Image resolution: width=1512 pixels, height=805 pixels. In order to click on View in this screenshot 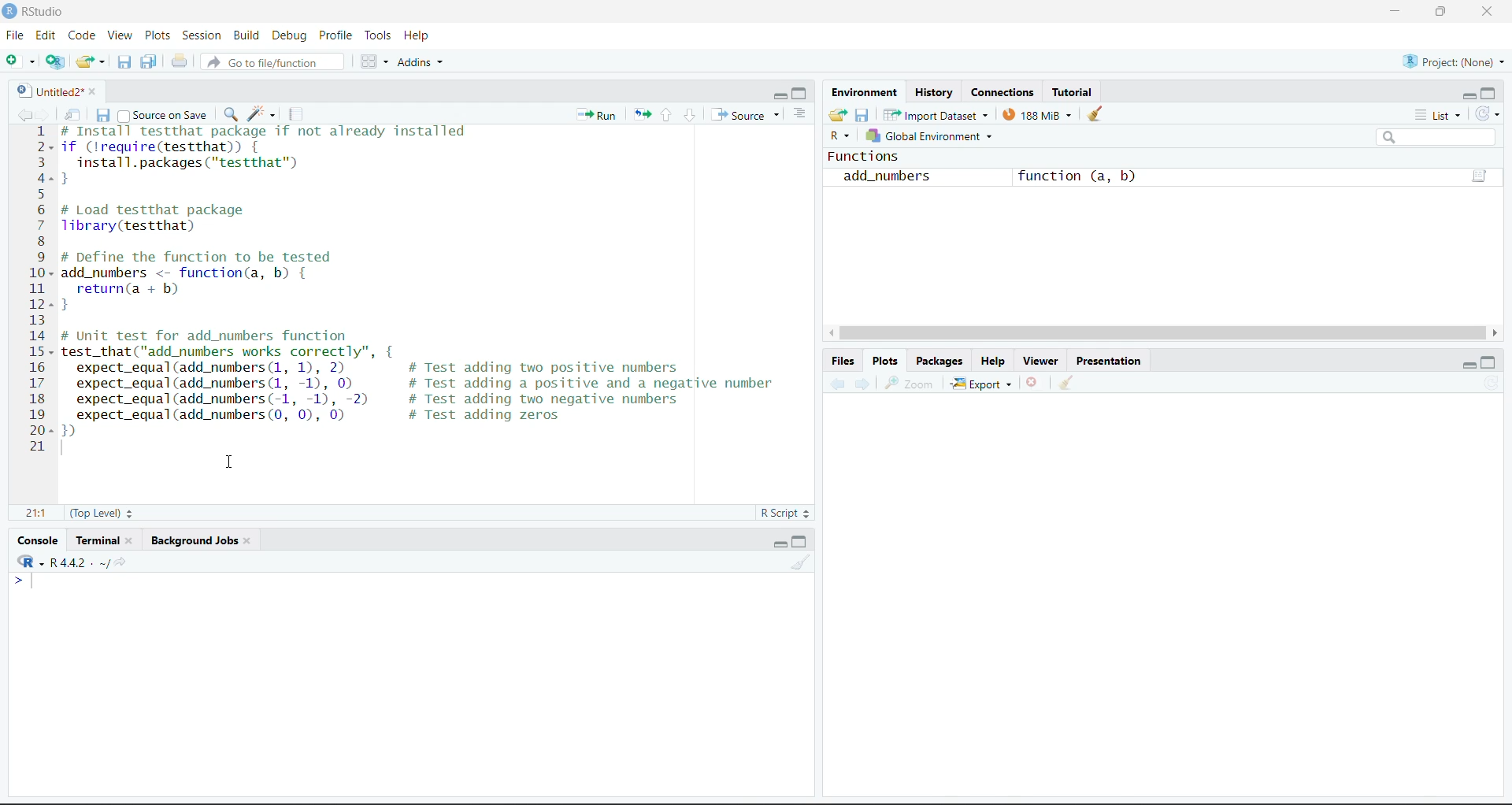, I will do `click(123, 34)`.